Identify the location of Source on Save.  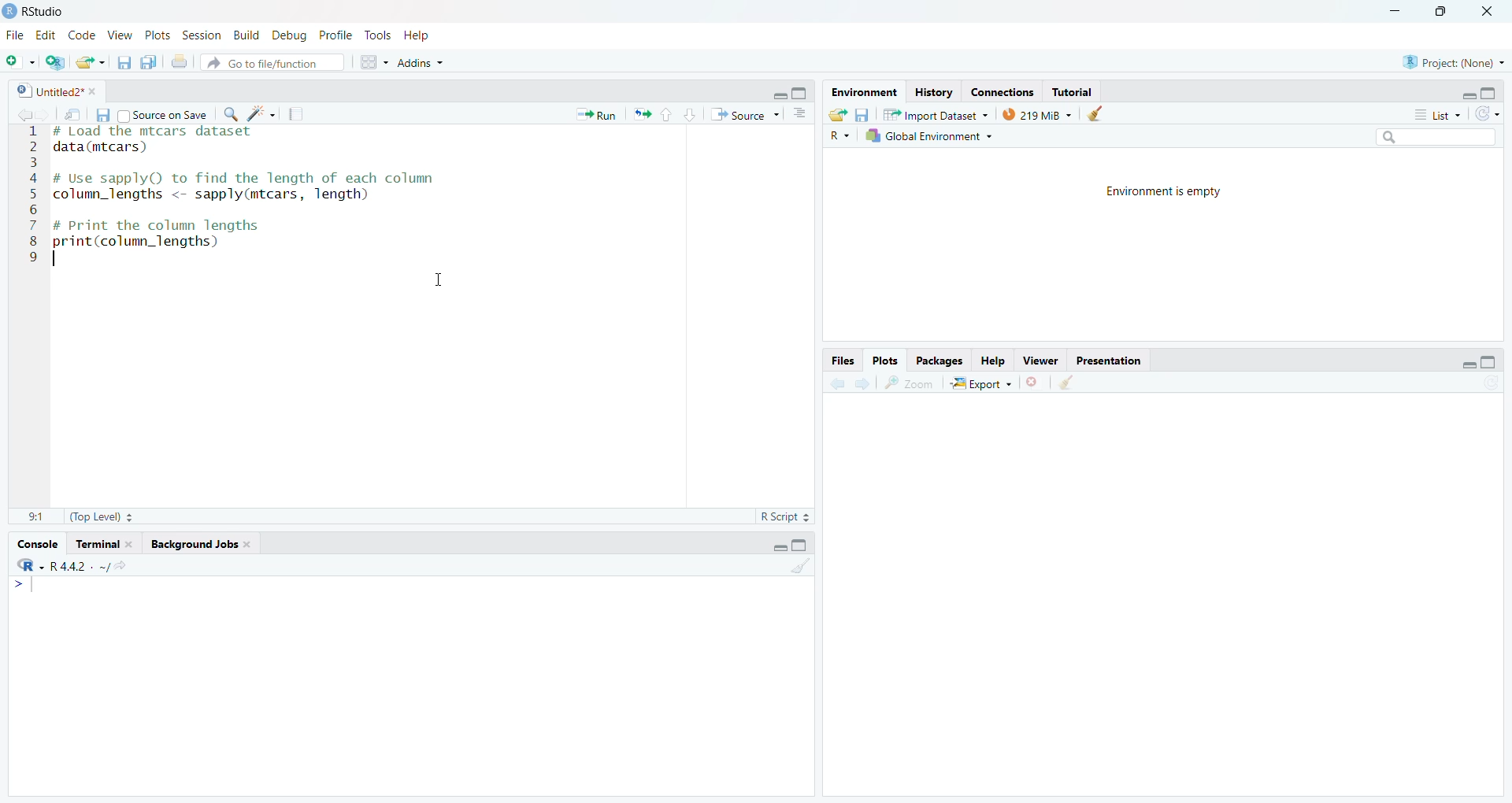
(163, 113).